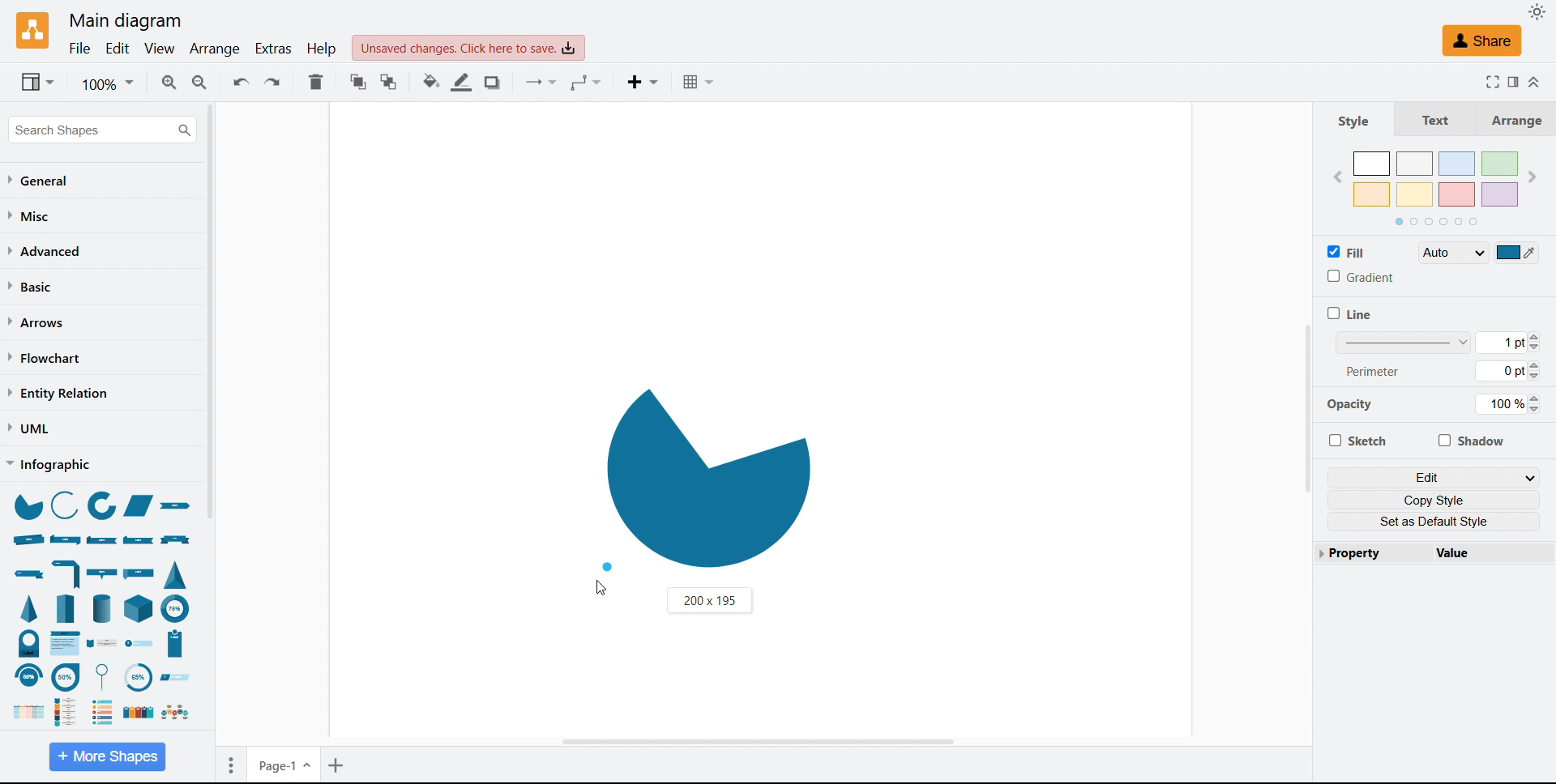 This screenshot has height=784, width=1556. Describe the element at coordinates (103, 645) in the screenshot. I see `roadmap vertical` at that location.